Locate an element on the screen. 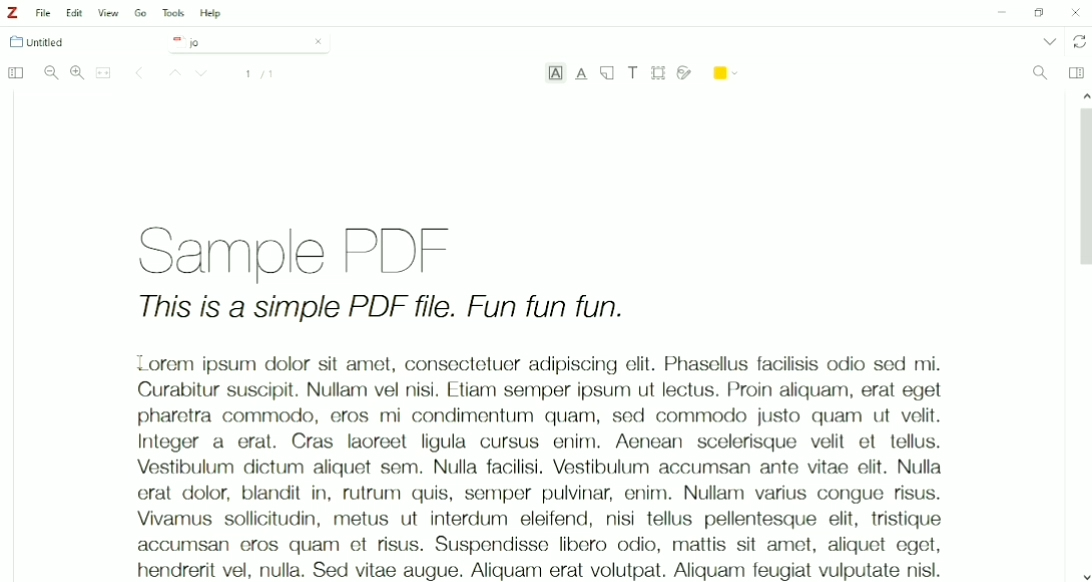  Note Annotation is located at coordinates (607, 74).